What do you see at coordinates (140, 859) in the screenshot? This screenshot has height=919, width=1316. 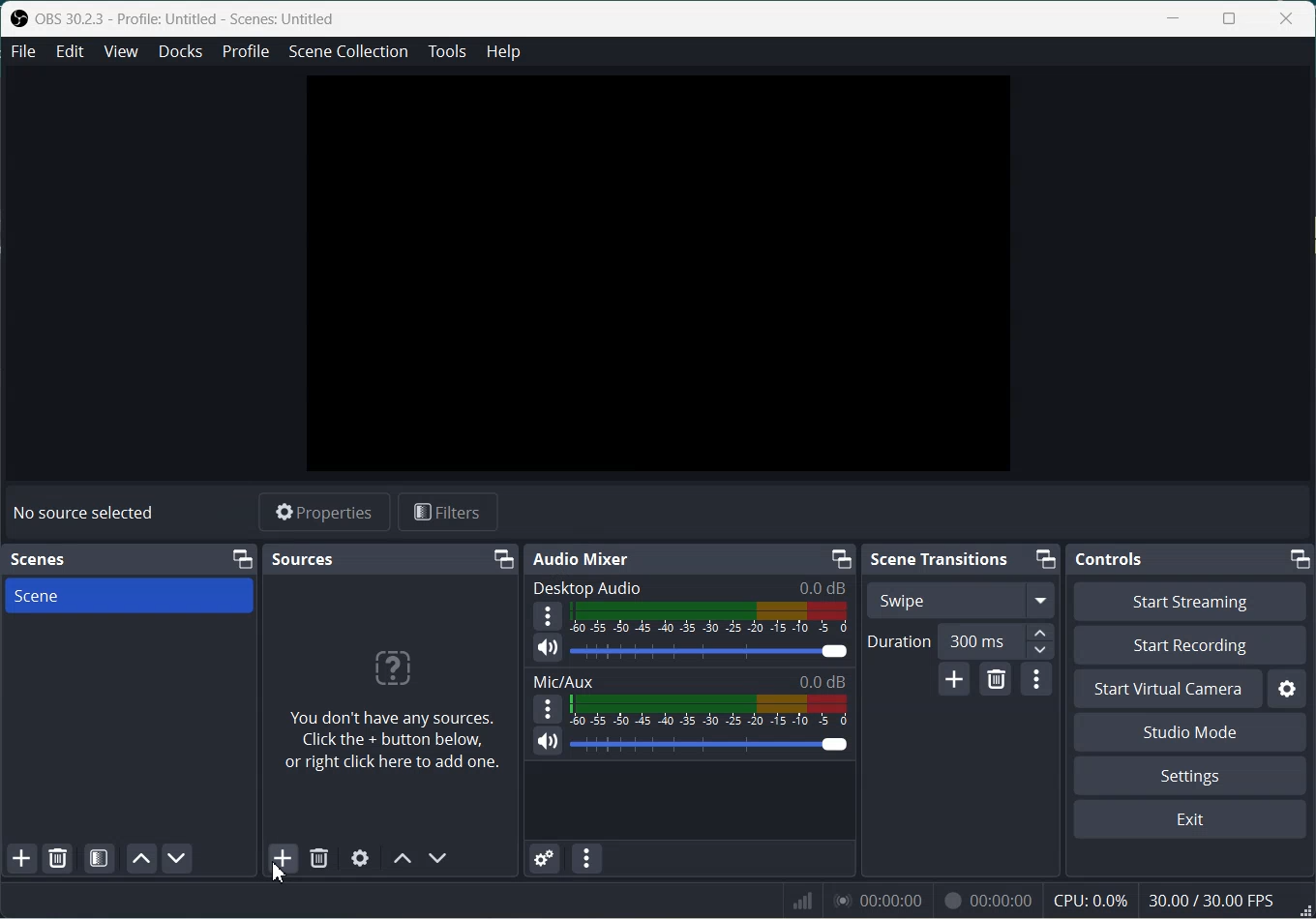 I see `Move scene up` at bounding box center [140, 859].